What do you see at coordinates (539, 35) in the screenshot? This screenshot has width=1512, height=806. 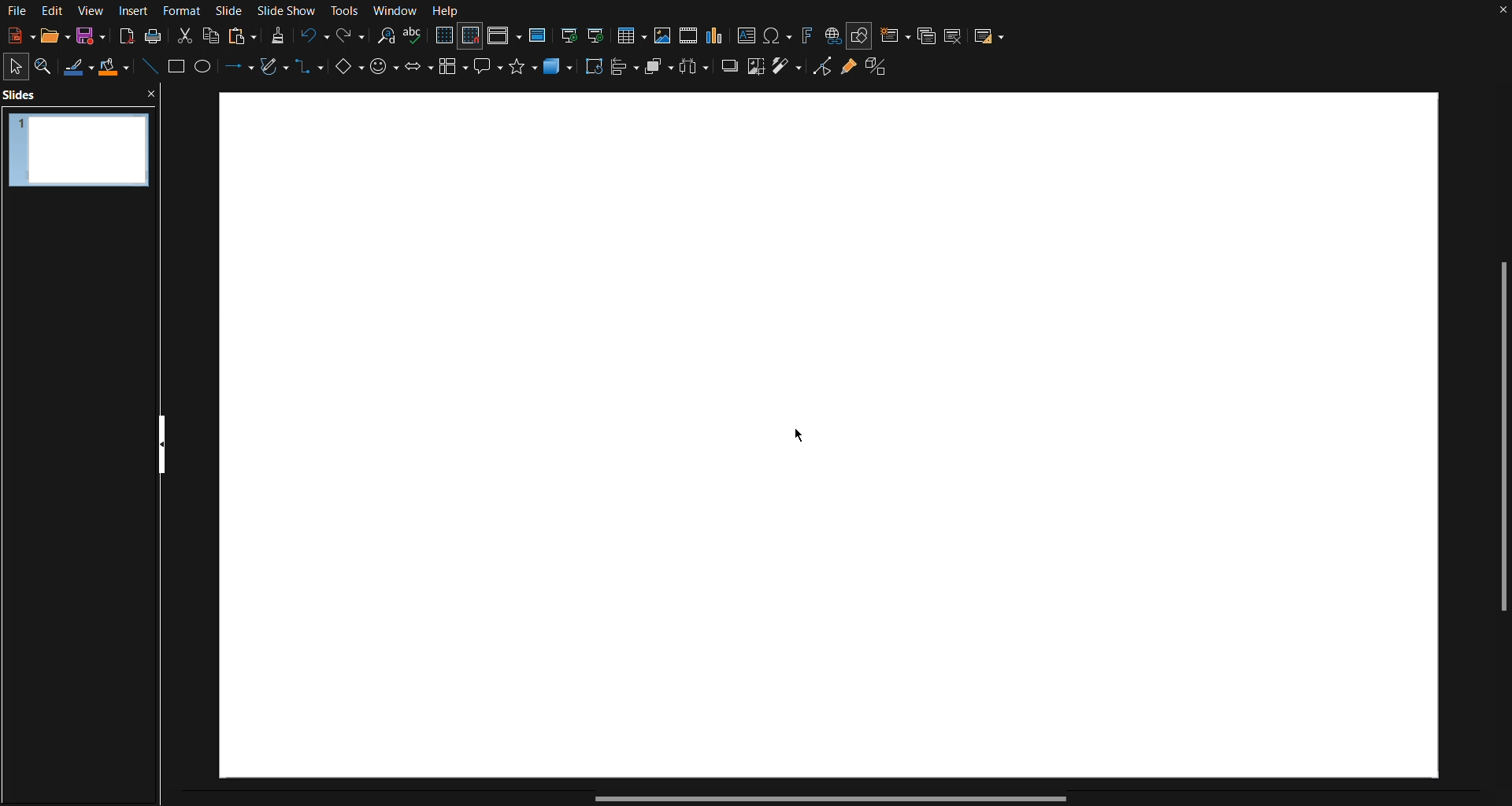 I see `Master Slide` at bounding box center [539, 35].